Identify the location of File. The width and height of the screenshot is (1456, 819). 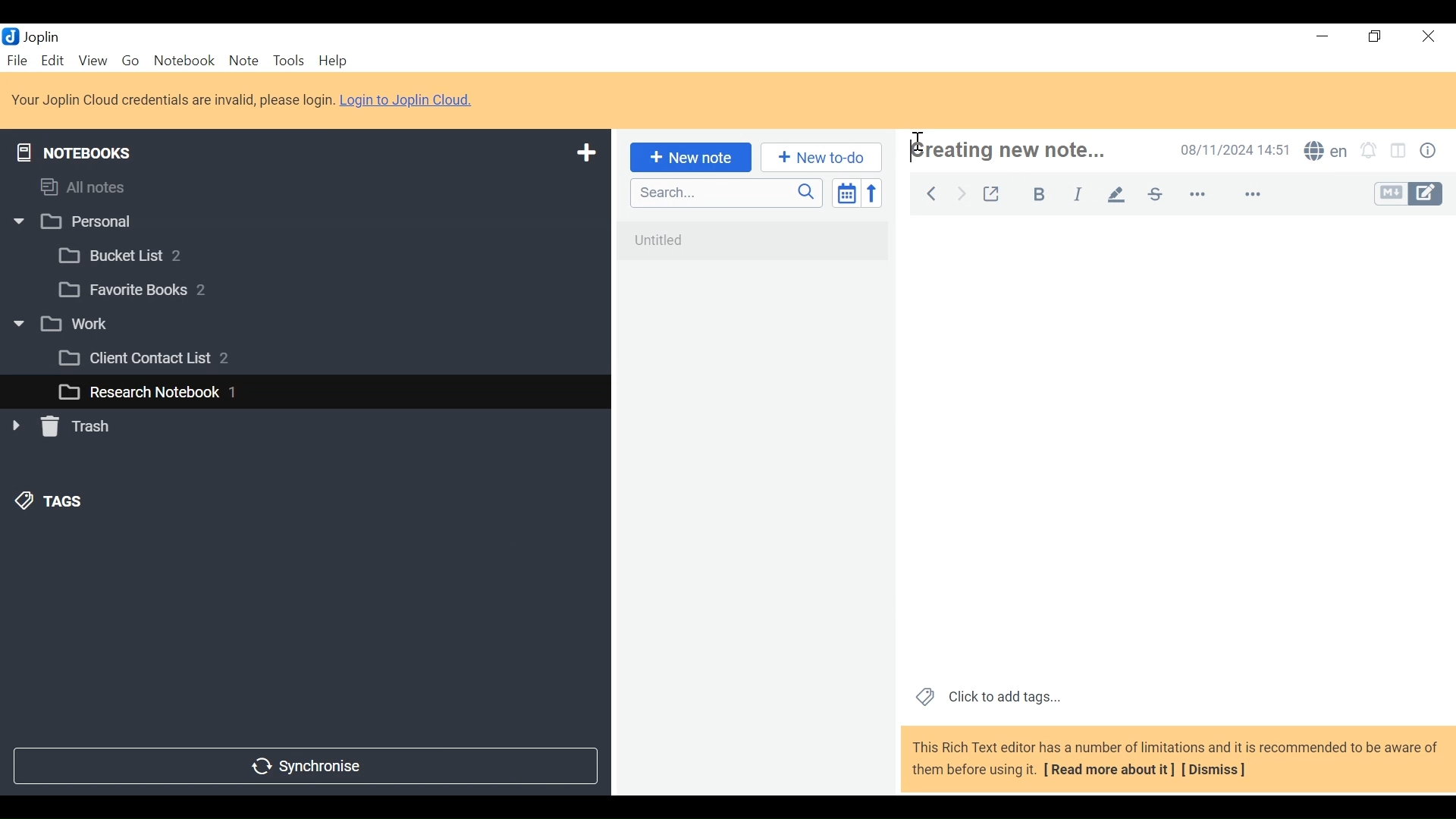
(19, 60).